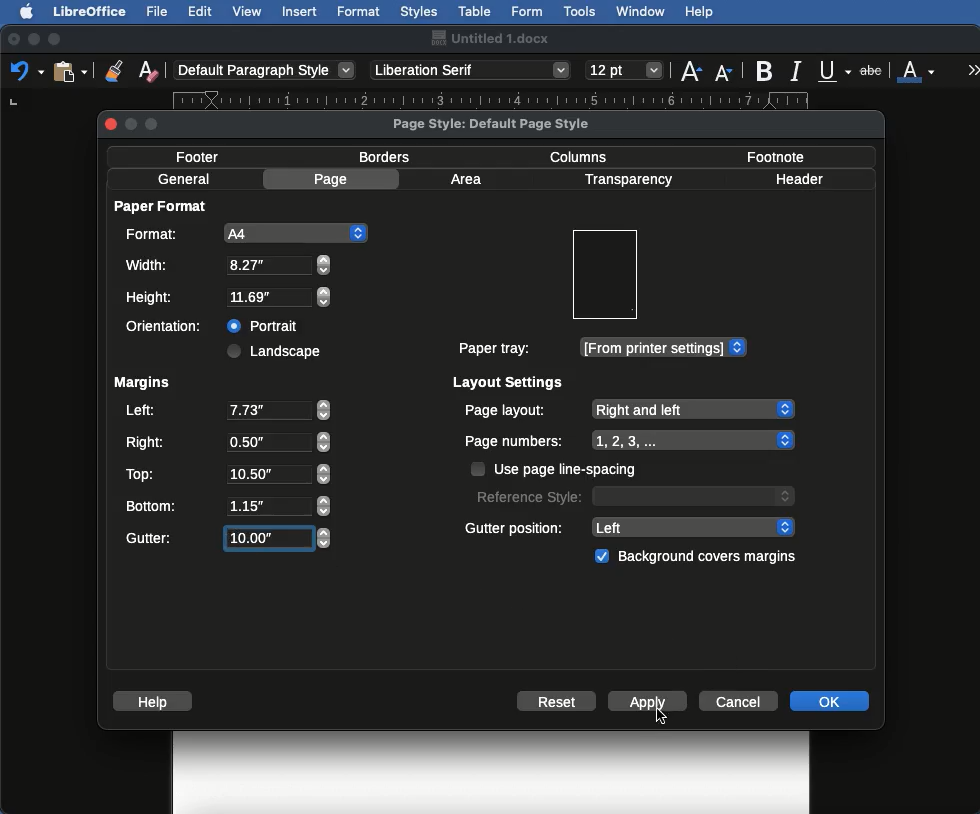 This screenshot has height=814, width=980. Describe the element at coordinates (699, 557) in the screenshot. I see `Background covers margins` at that location.